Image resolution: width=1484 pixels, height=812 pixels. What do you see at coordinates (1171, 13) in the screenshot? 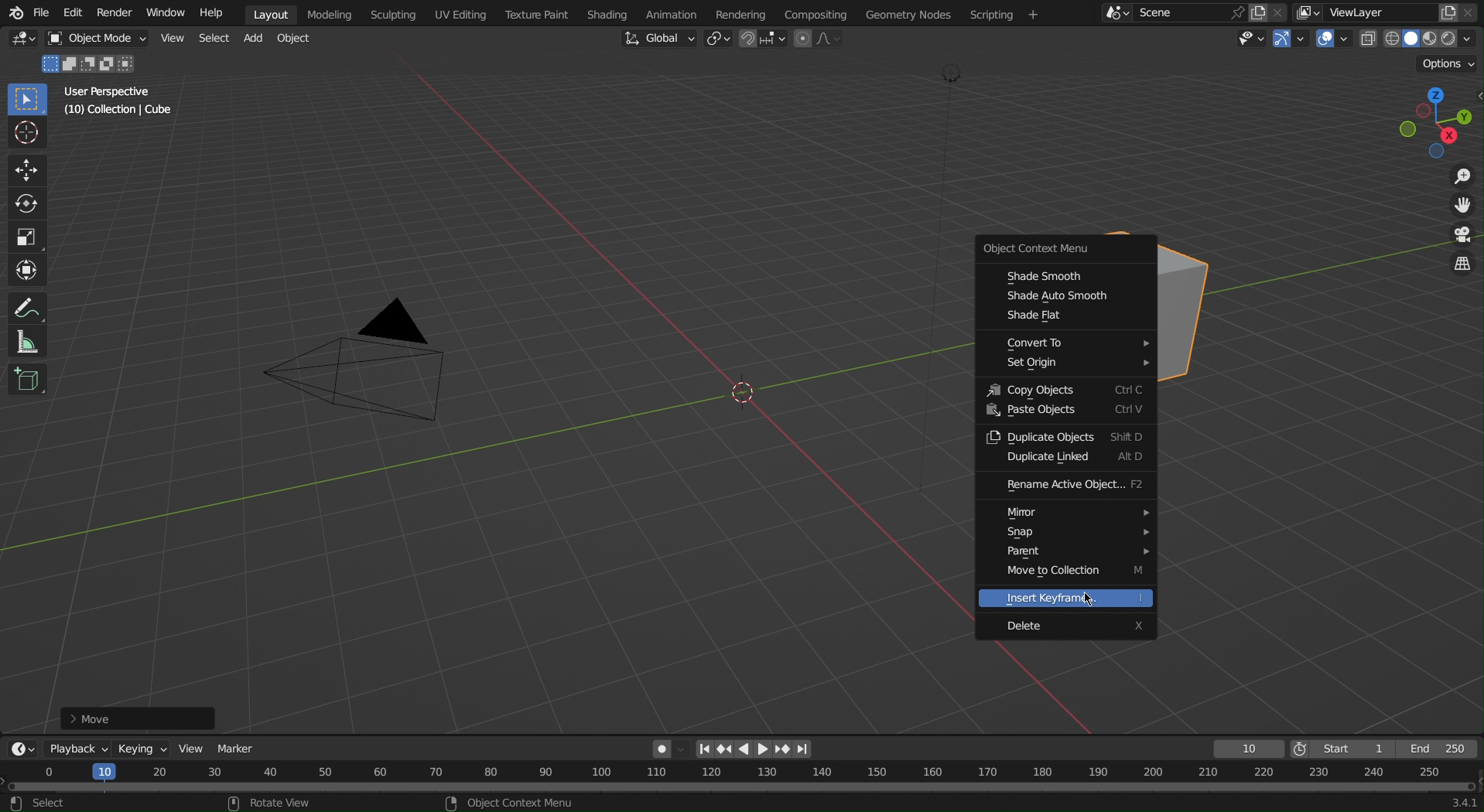
I see `Scene` at bounding box center [1171, 13].